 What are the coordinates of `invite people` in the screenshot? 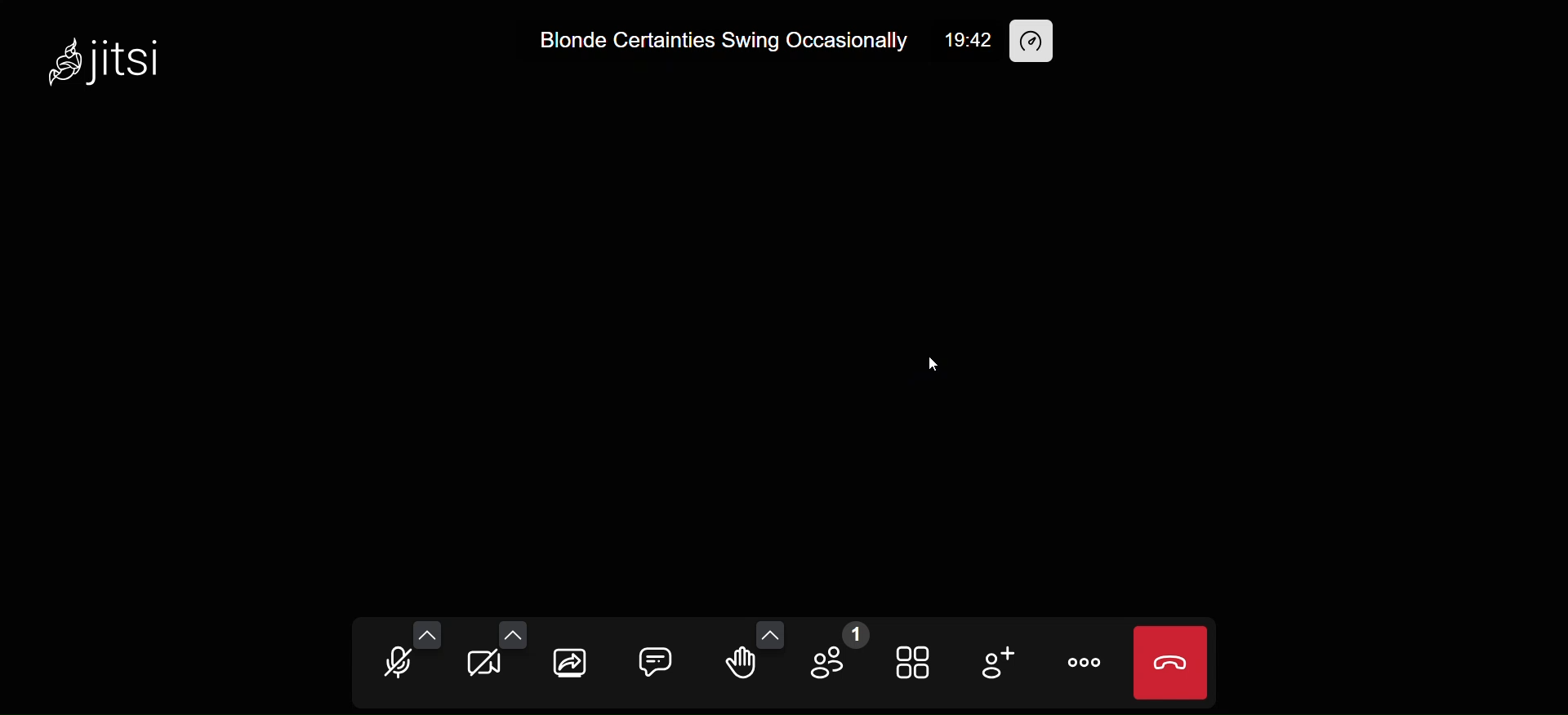 It's located at (998, 664).